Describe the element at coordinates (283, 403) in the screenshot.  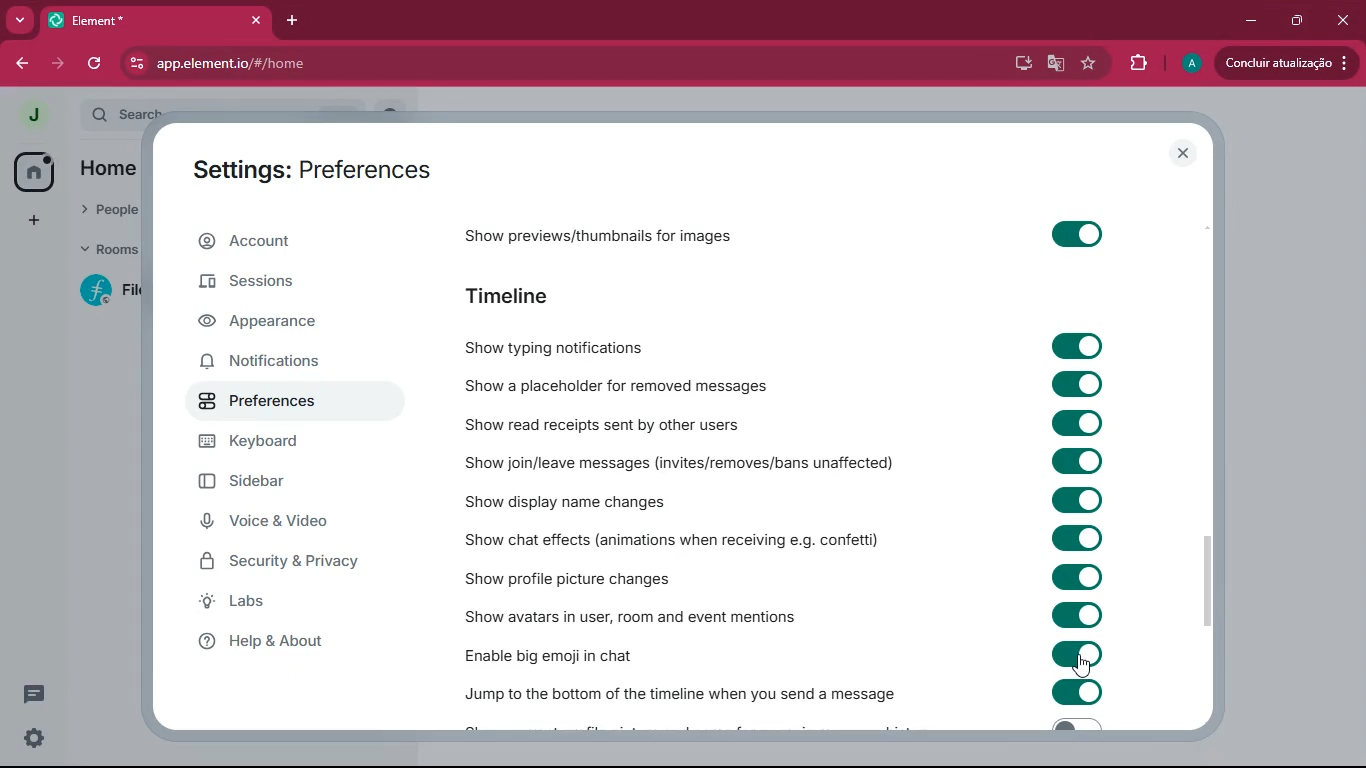
I see `preferences` at that location.